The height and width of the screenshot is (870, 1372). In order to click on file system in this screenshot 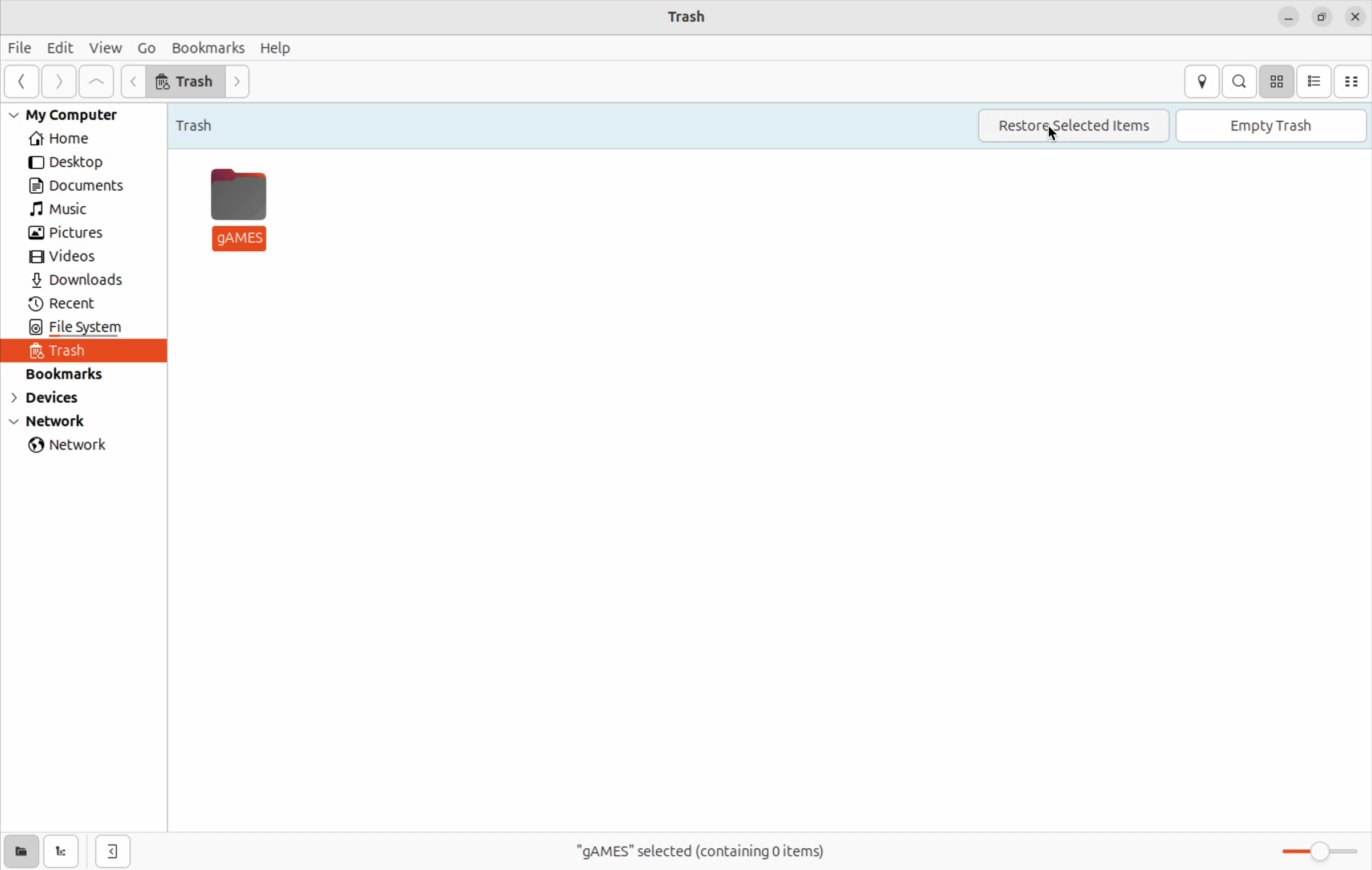, I will do `click(99, 329)`.